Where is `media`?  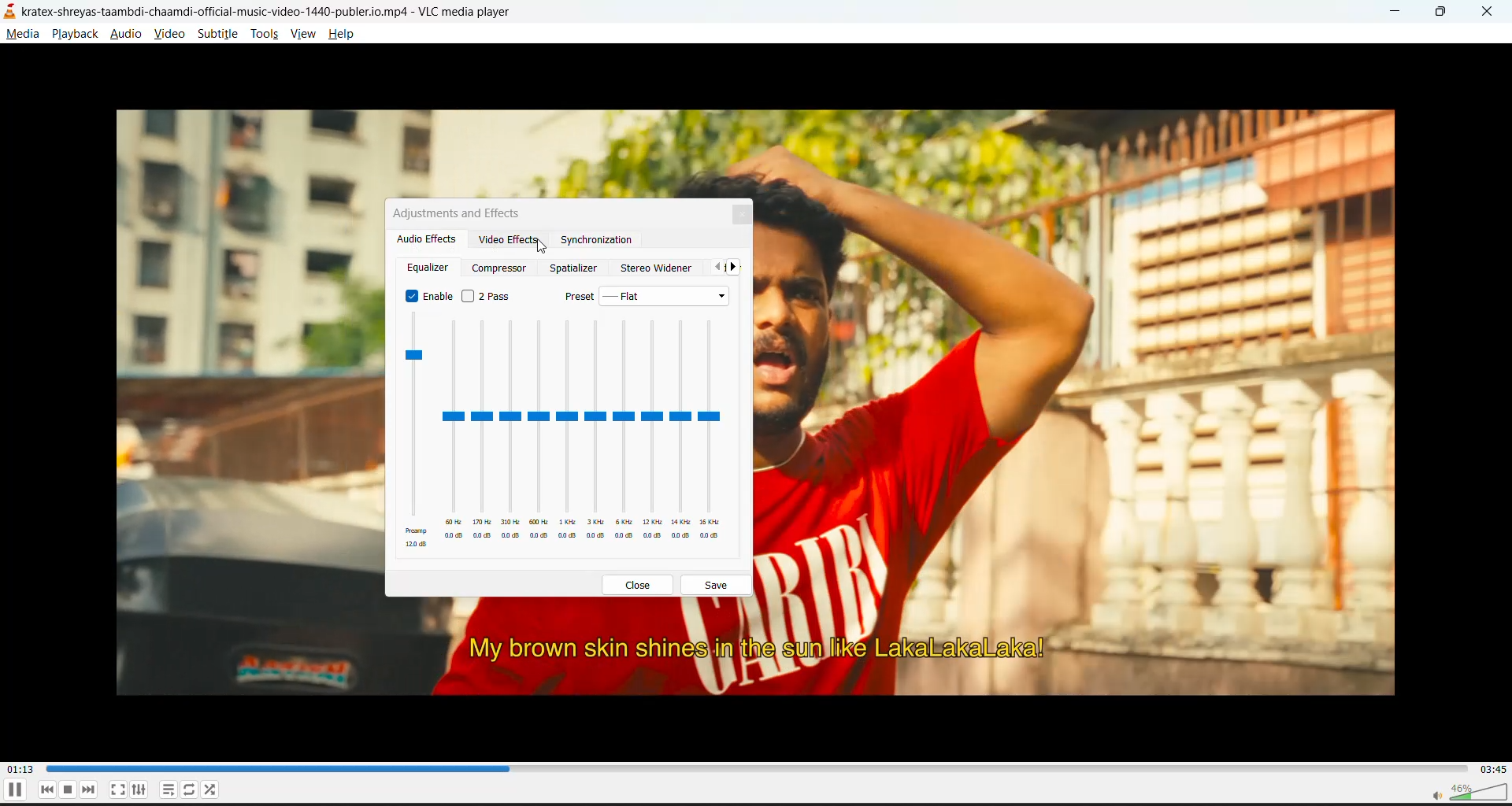 media is located at coordinates (24, 37).